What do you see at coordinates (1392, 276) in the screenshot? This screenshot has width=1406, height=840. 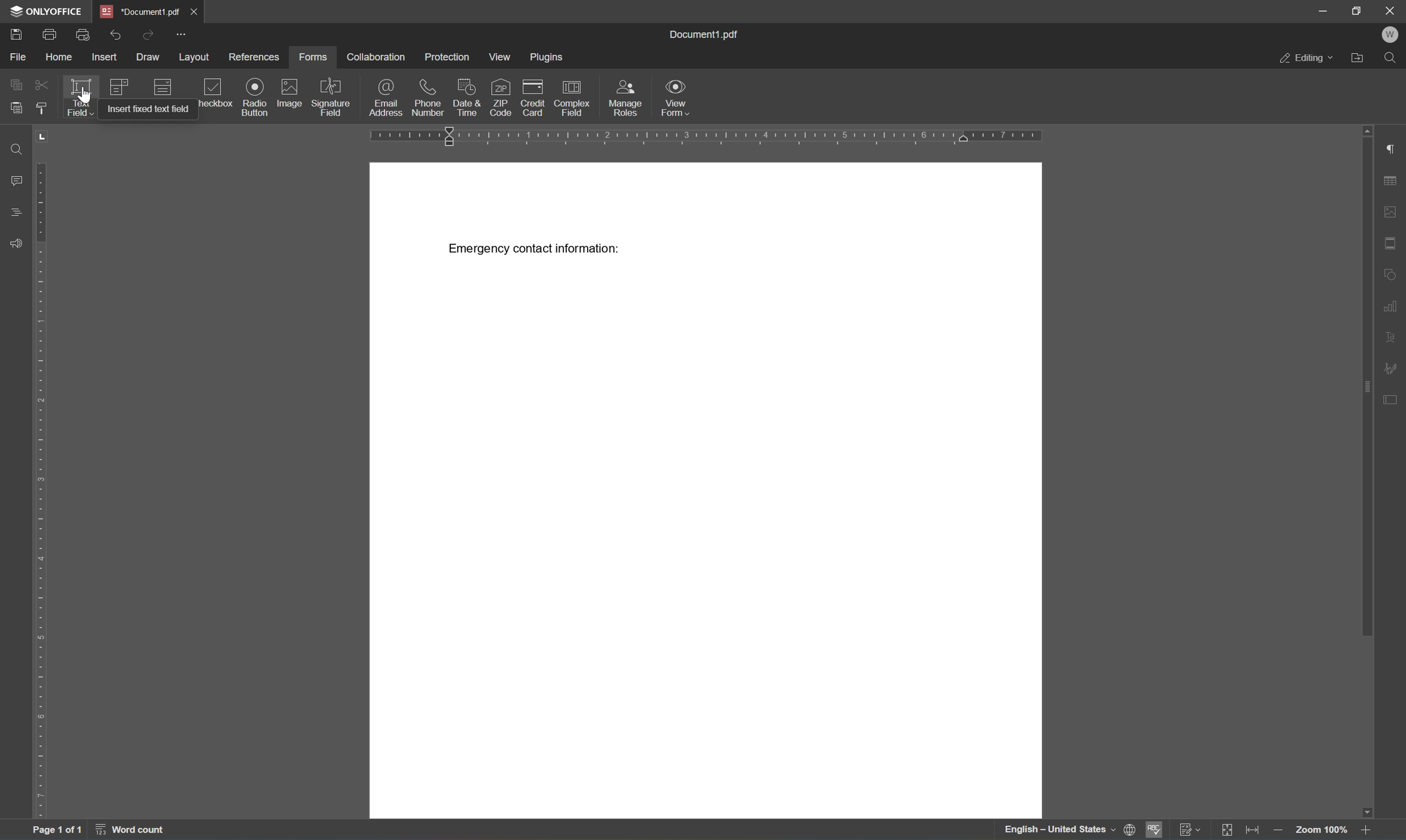 I see `shape settings` at bounding box center [1392, 276].